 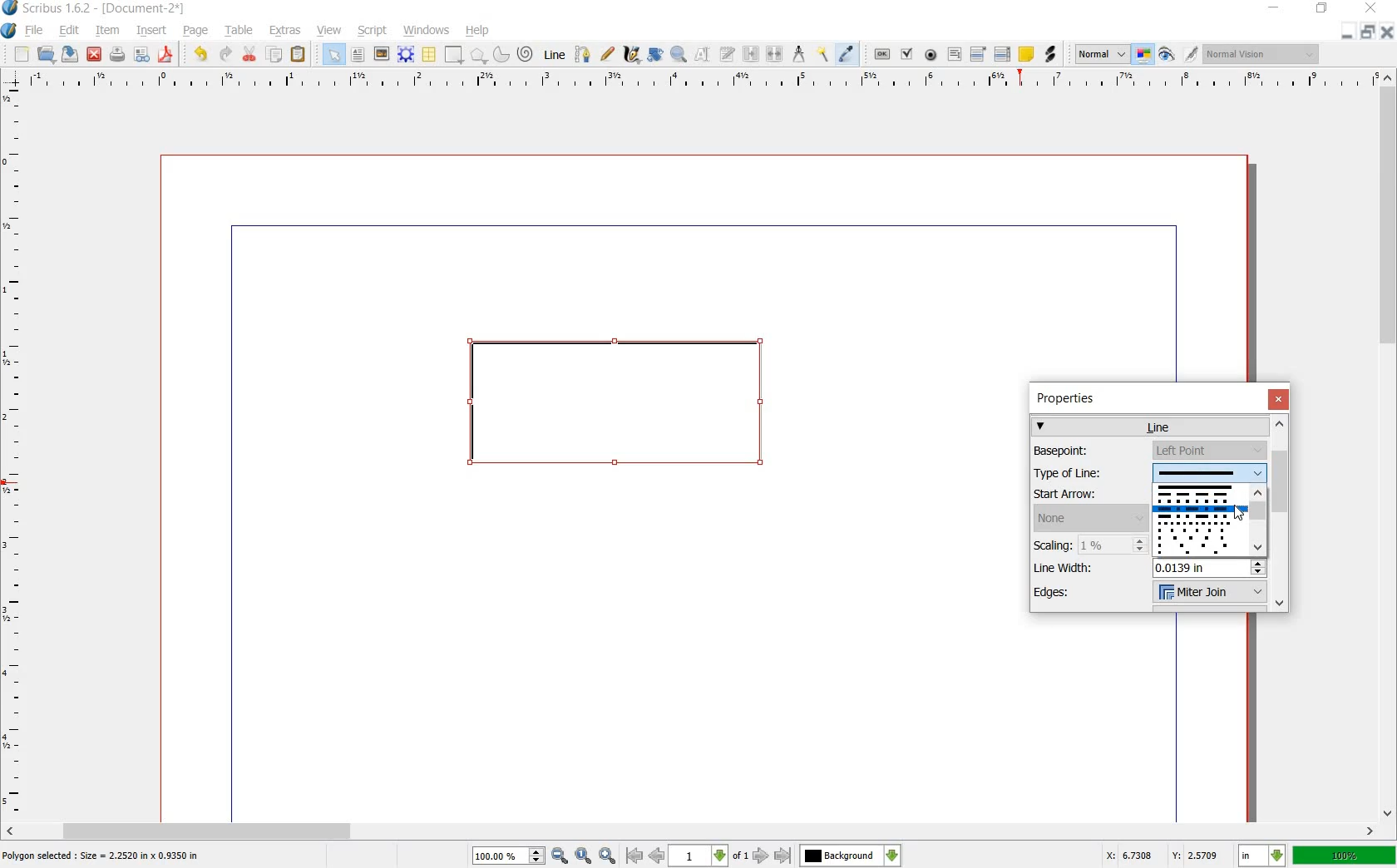 What do you see at coordinates (509, 856) in the screenshot?
I see `100.00%` at bounding box center [509, 856].